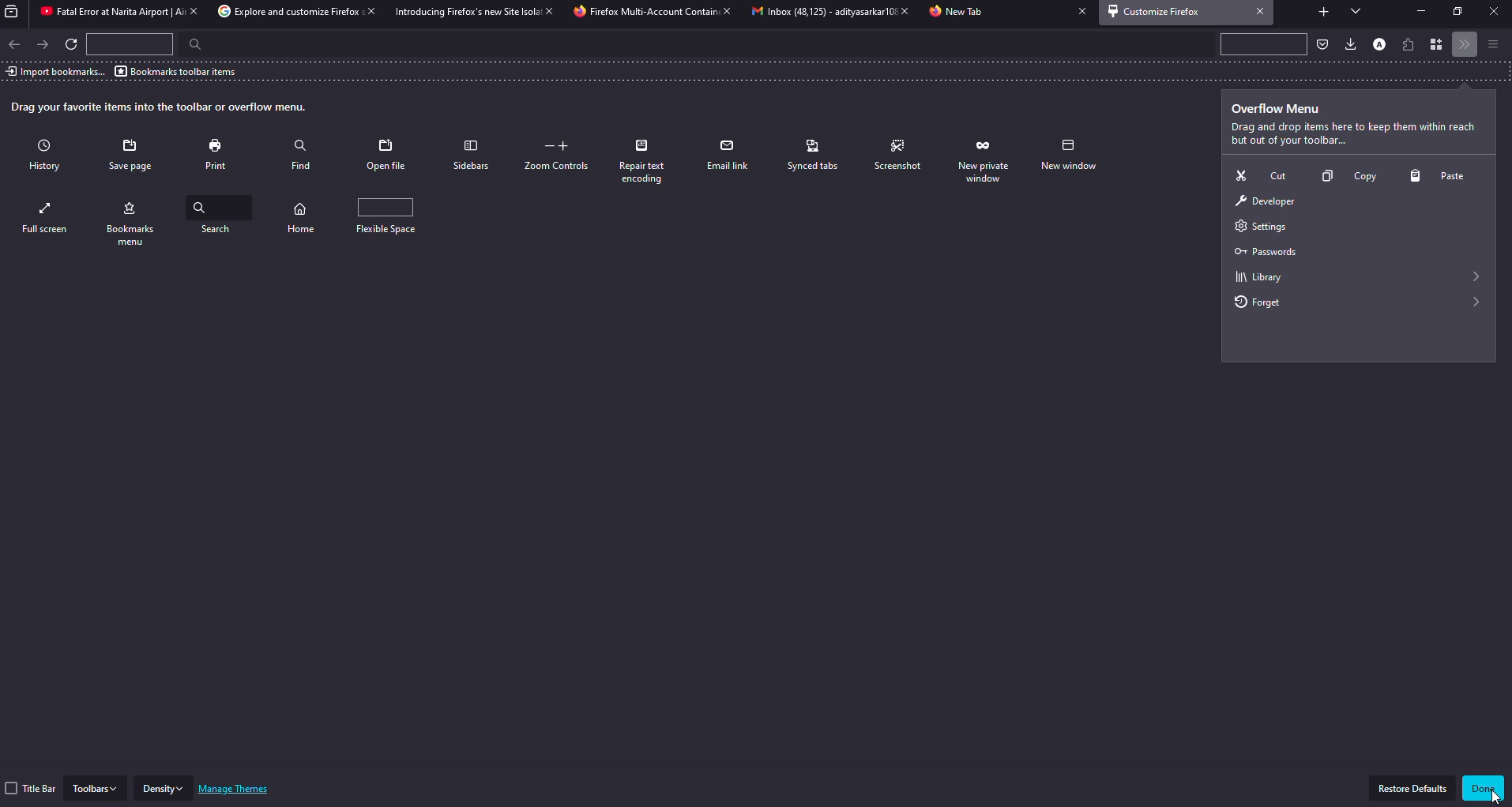 This screenshot has height=807, width=1512. I want to click on developer, so click(1264, 202).